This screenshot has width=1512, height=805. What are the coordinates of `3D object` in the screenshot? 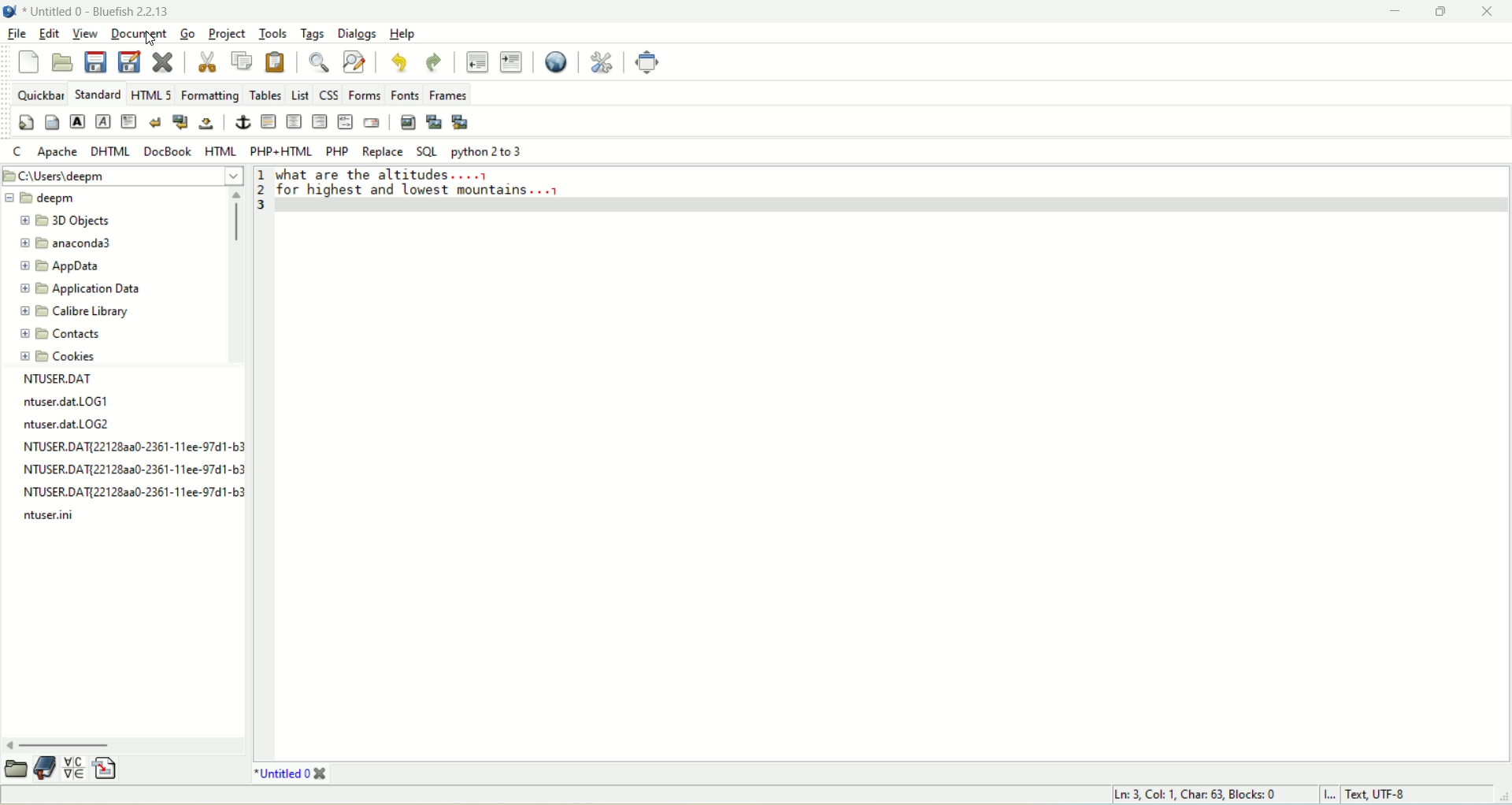 It's located at (69, 221).